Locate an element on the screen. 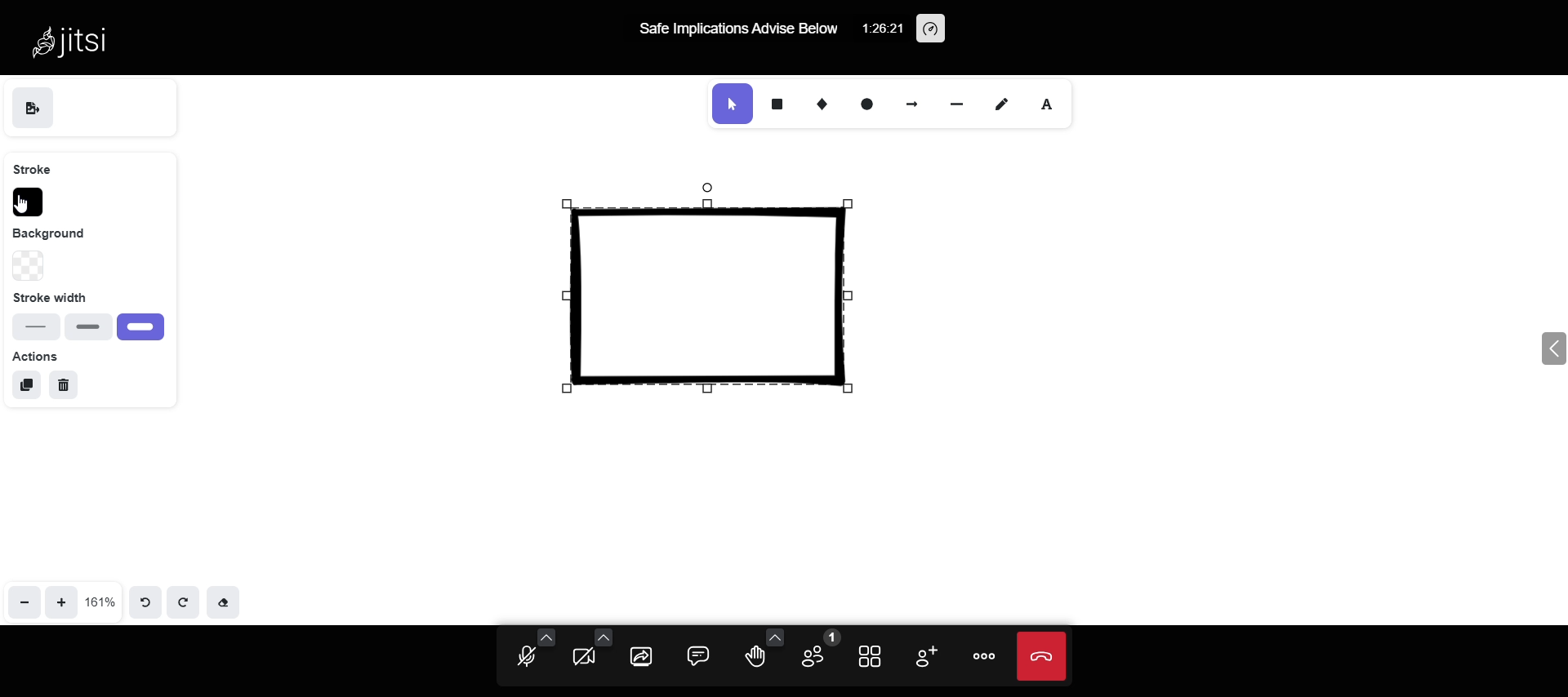  zoom out is located at coordinates (20, 604).